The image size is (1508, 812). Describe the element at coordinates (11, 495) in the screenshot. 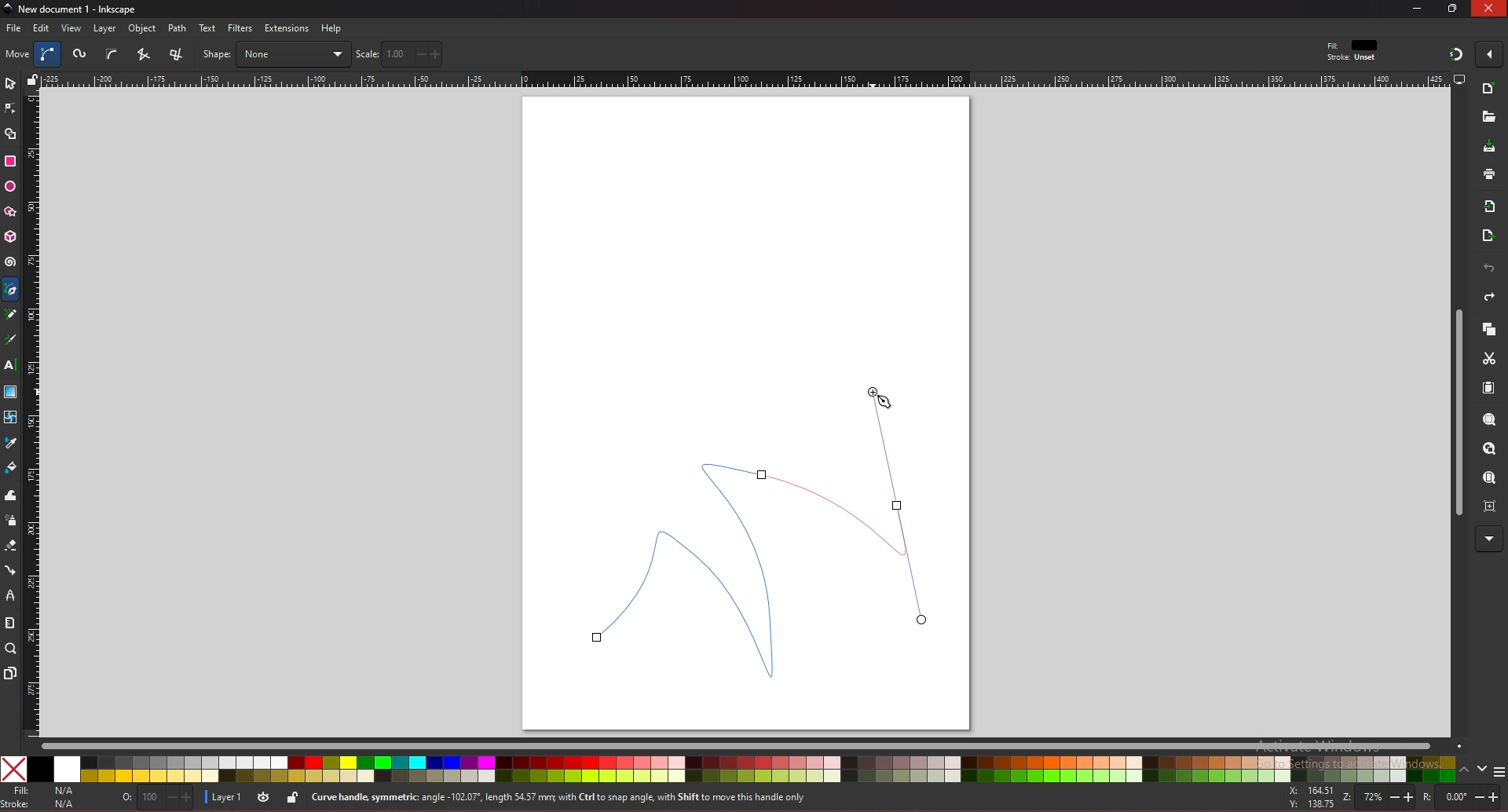

I see `tweak` at that location.